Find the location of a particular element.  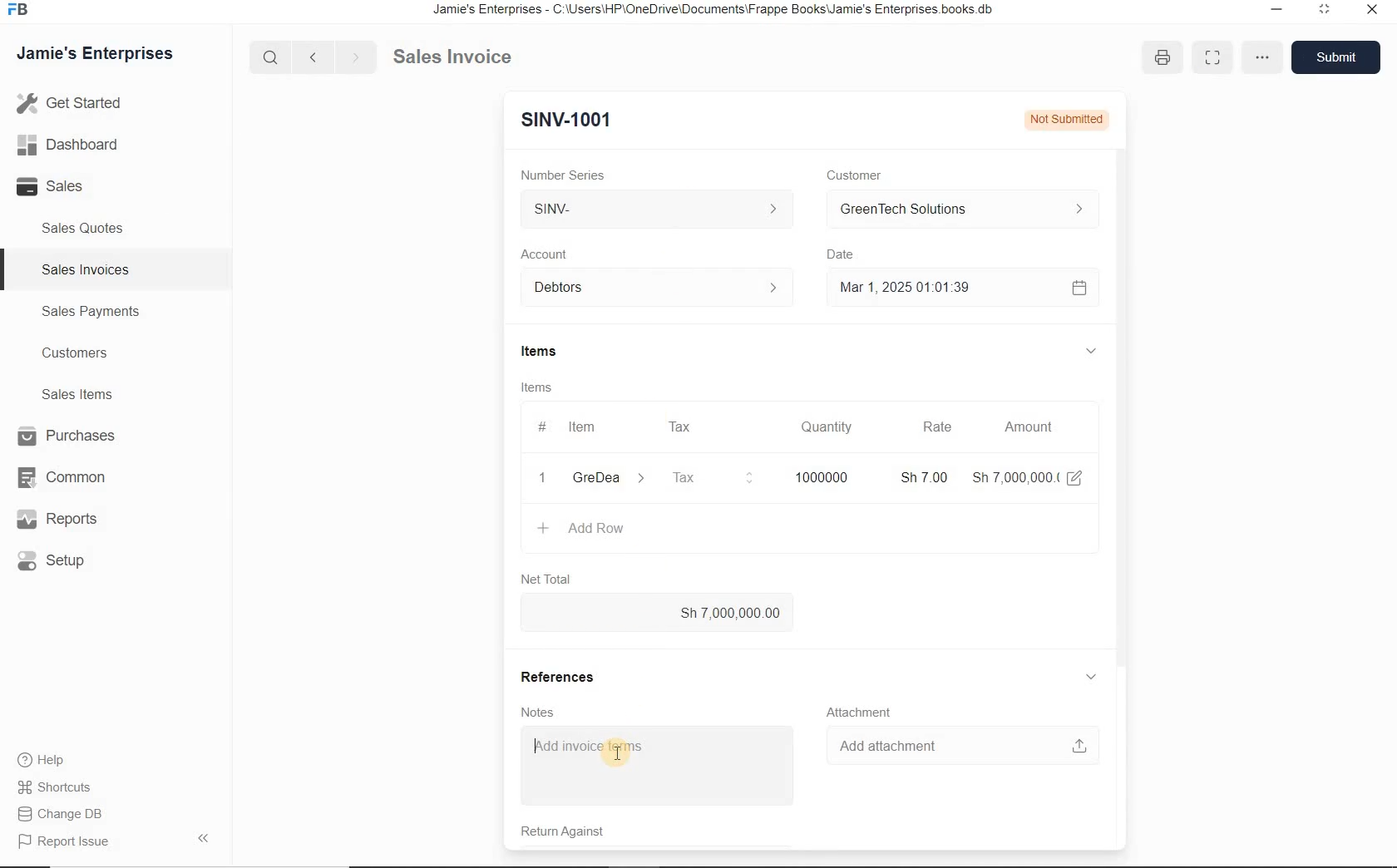

Customer is located at coordinates (849, 175).